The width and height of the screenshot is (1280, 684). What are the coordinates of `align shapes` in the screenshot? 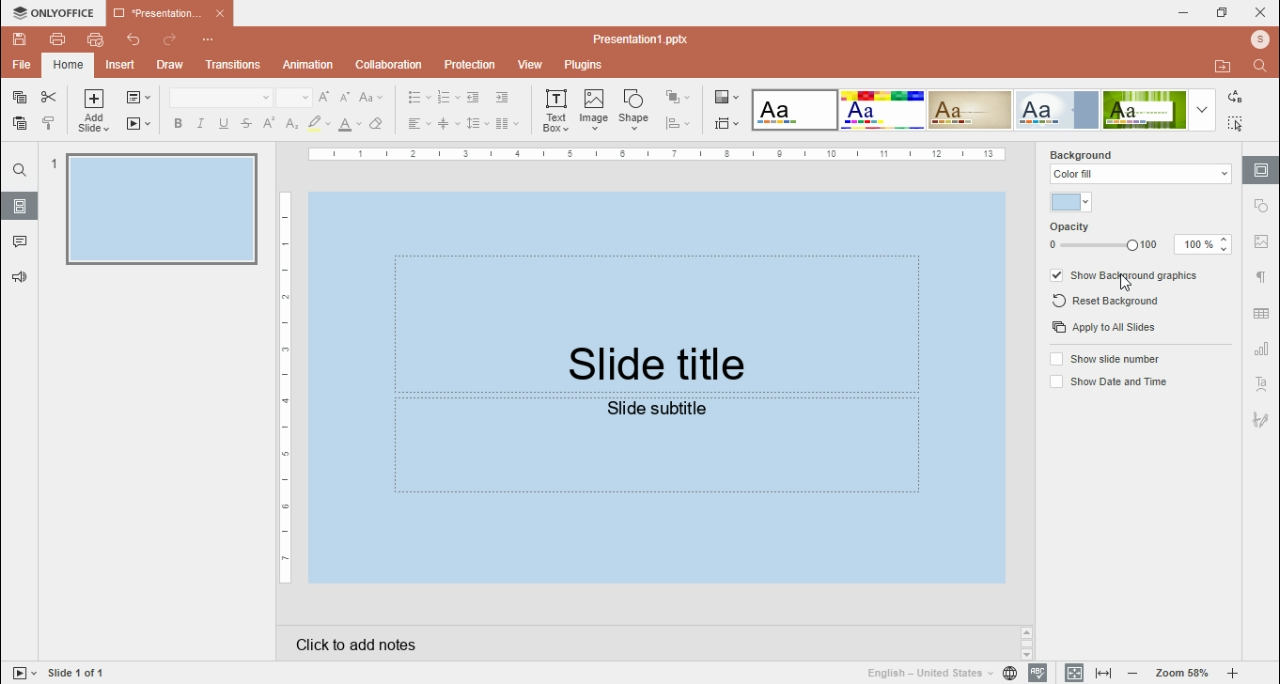 It's located at (677, 122).